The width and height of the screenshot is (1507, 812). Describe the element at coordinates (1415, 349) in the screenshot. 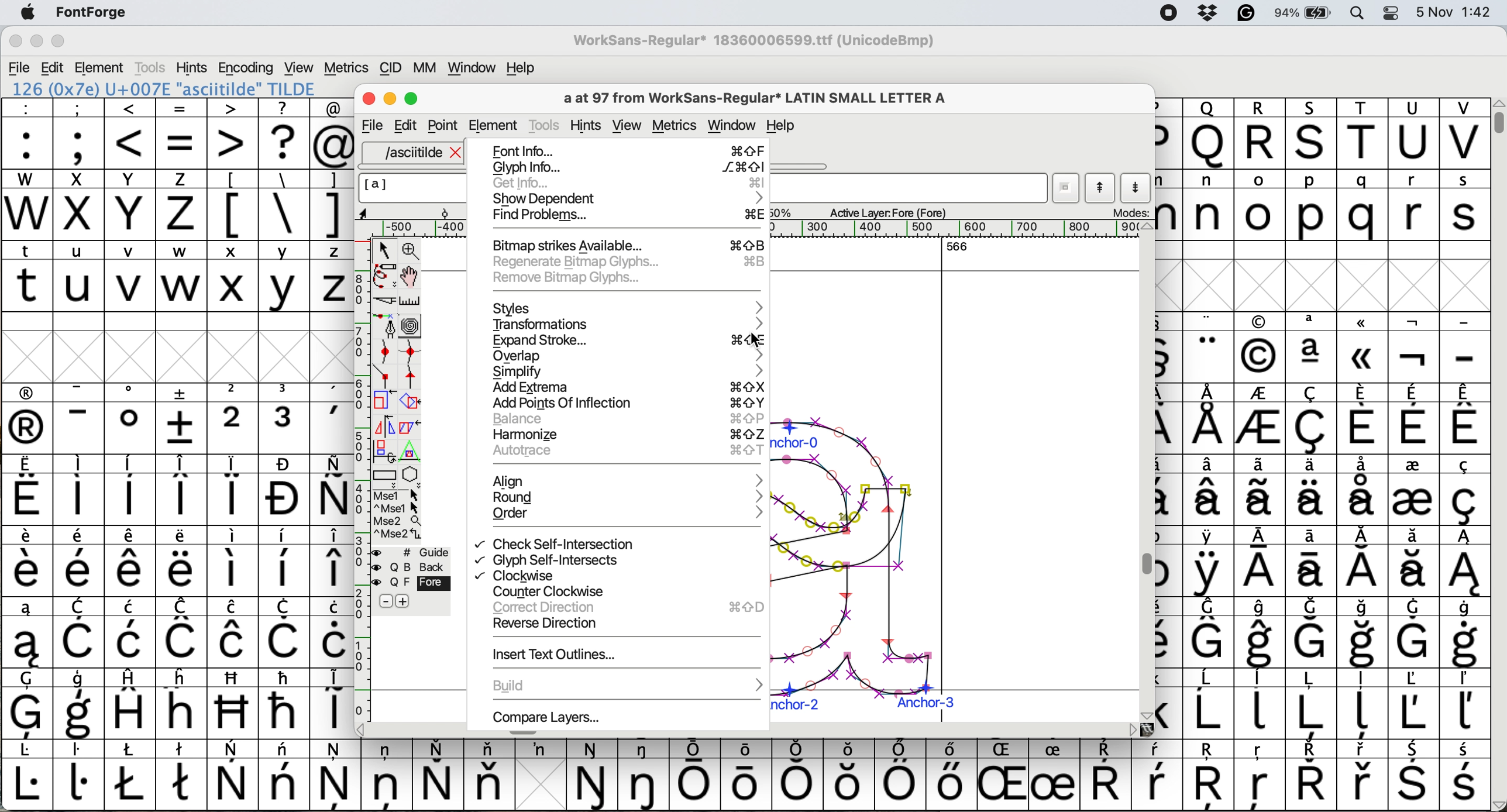

I see `symbol` at that location.